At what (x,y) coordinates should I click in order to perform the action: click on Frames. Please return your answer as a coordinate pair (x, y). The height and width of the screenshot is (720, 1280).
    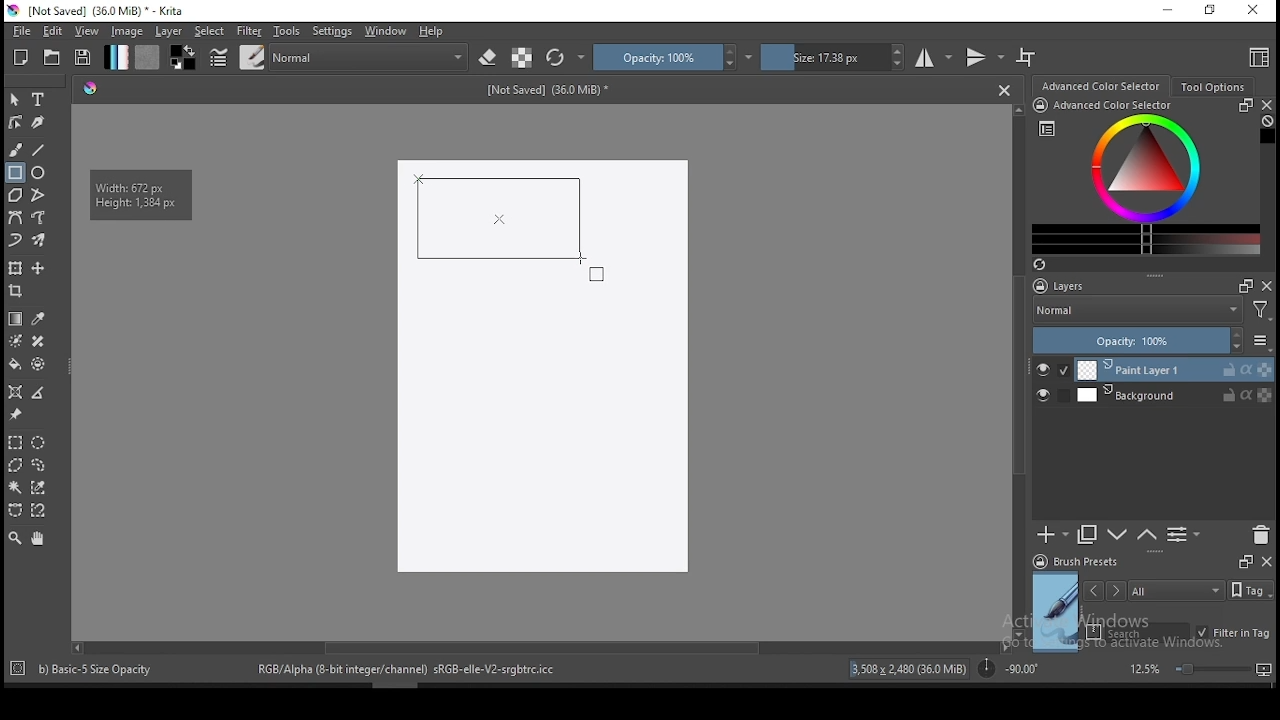
    Looking at the image, I should click on (1245, 561).